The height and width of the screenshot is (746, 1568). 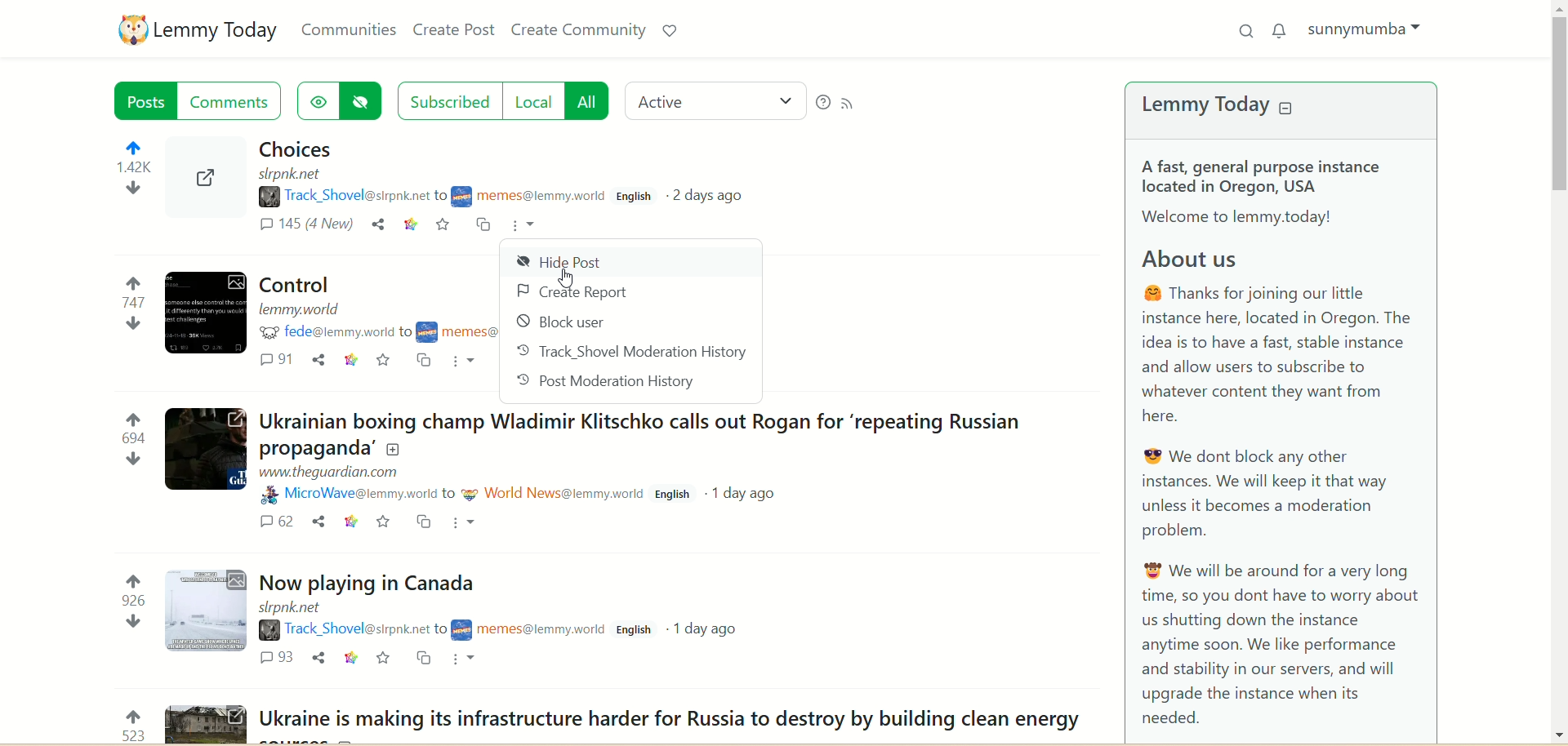 What do you see at coordinates (1280, 29) in the screenshot?
I see `notification` at bounding box center [1280, 29].